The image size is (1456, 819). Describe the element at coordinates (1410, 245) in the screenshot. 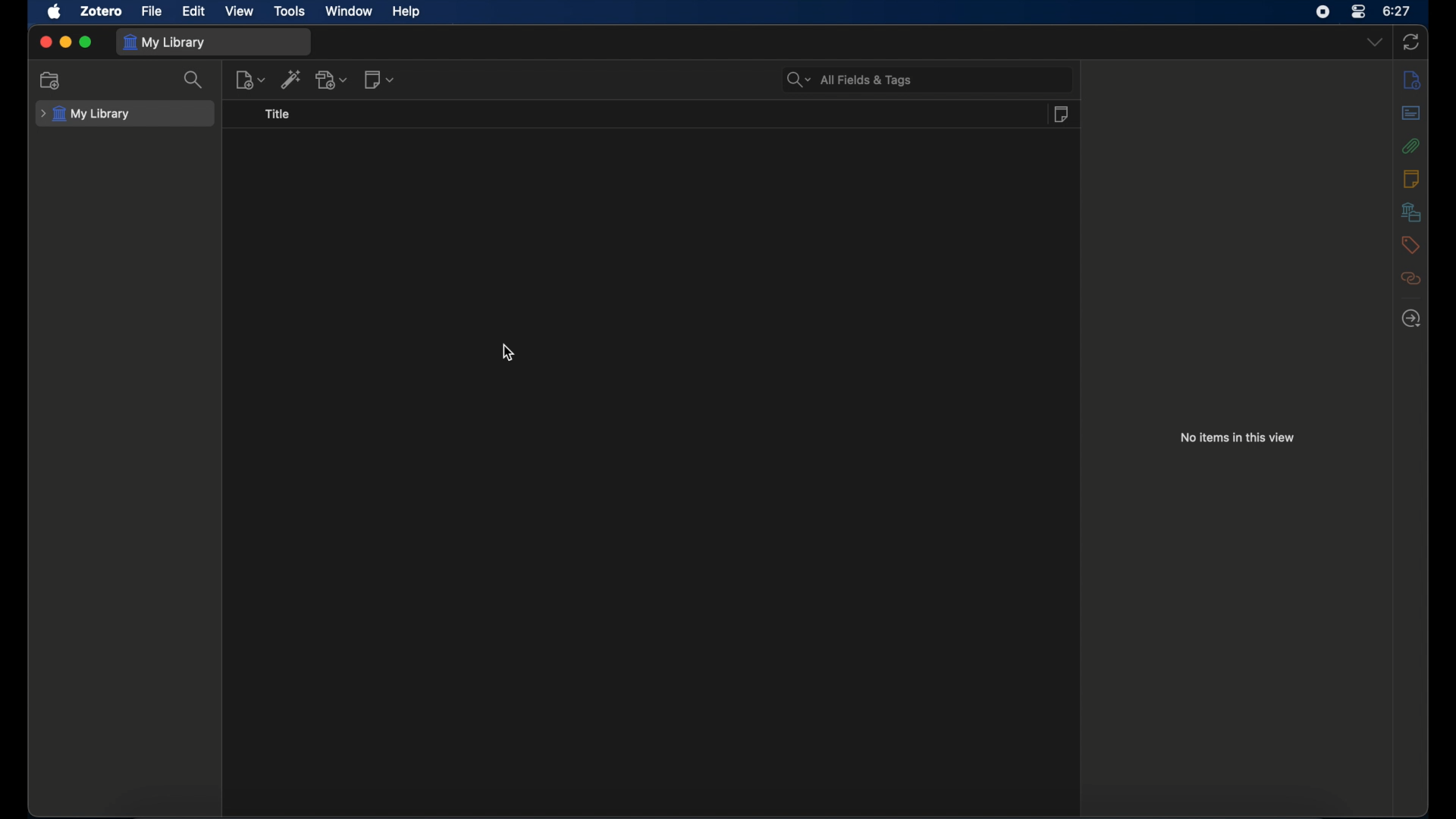

I see `tags` at that location.